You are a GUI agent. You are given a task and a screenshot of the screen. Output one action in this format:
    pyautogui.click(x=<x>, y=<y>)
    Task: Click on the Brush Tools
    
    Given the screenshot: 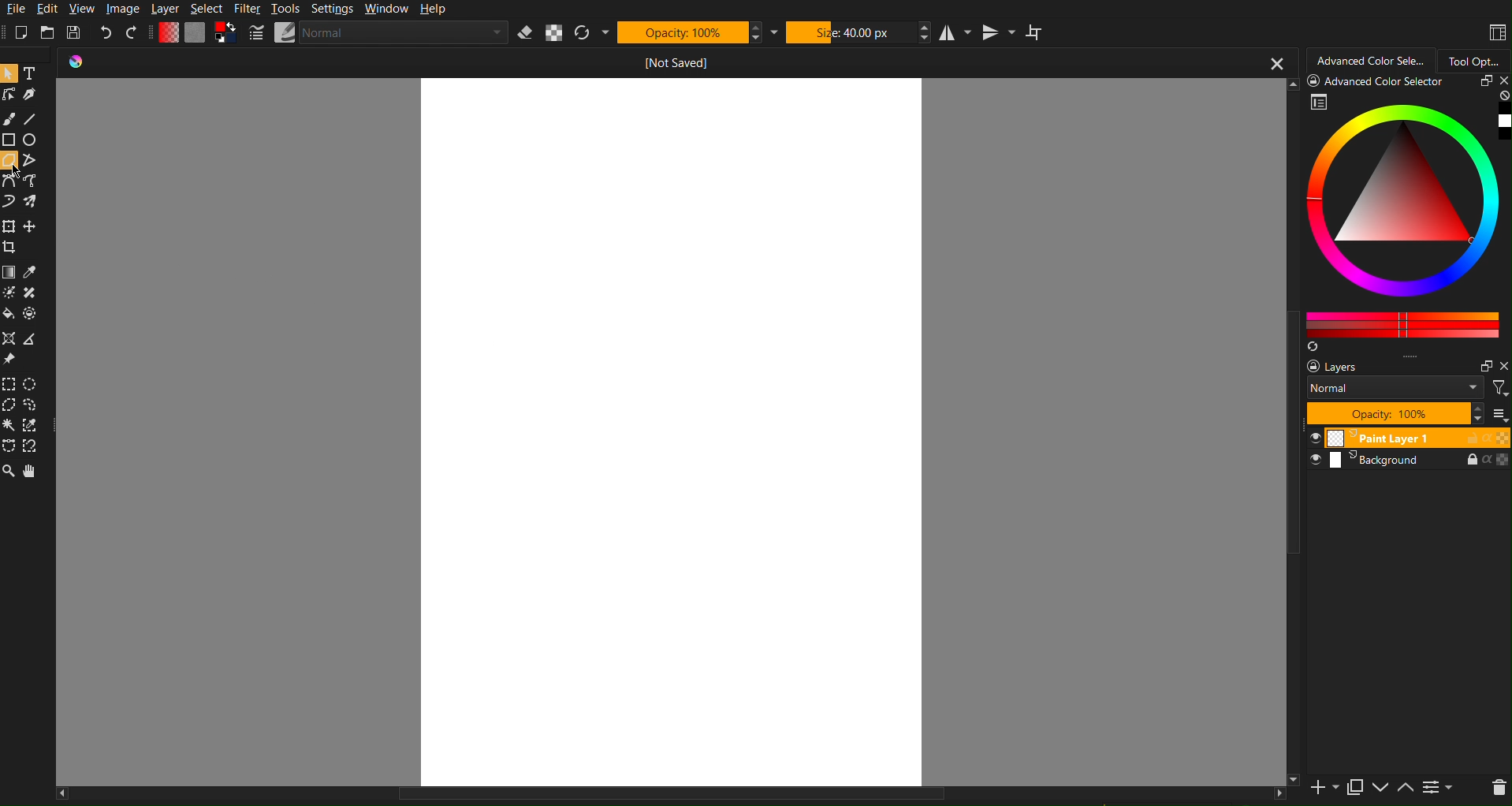 What is the action you would take?
    pyautogui.click(x=10, y=118)
    